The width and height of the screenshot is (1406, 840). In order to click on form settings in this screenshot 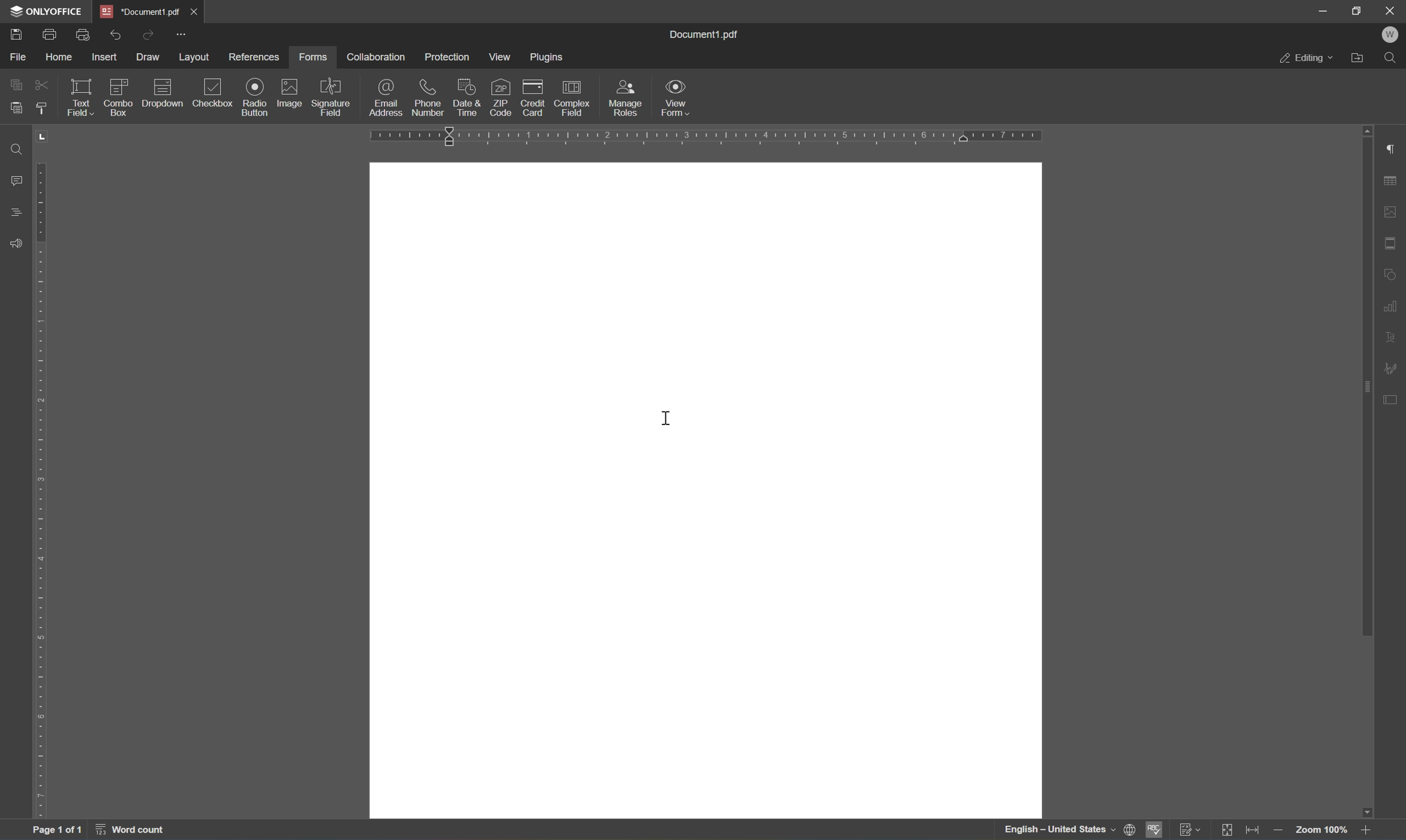, I will do `click(1394, 398)`.